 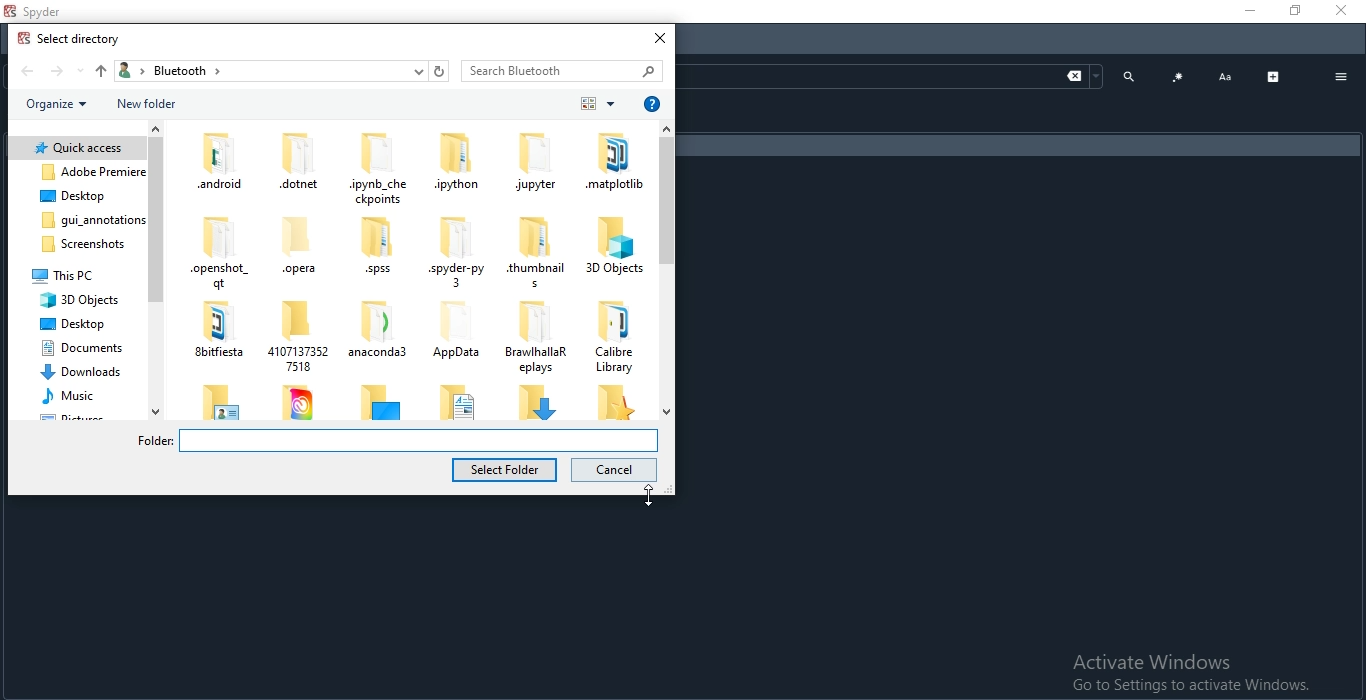 I want to click on expand, so click(x=1274, y=77).